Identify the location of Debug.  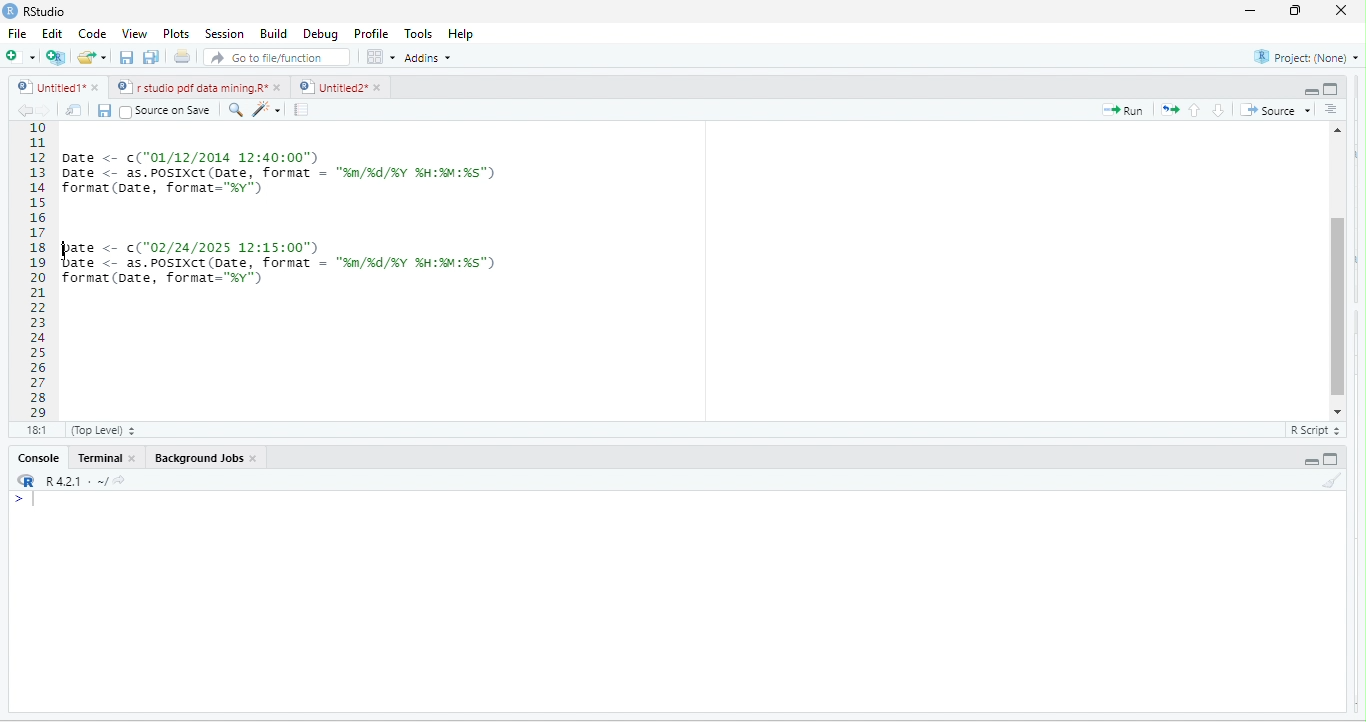
(320, 36).